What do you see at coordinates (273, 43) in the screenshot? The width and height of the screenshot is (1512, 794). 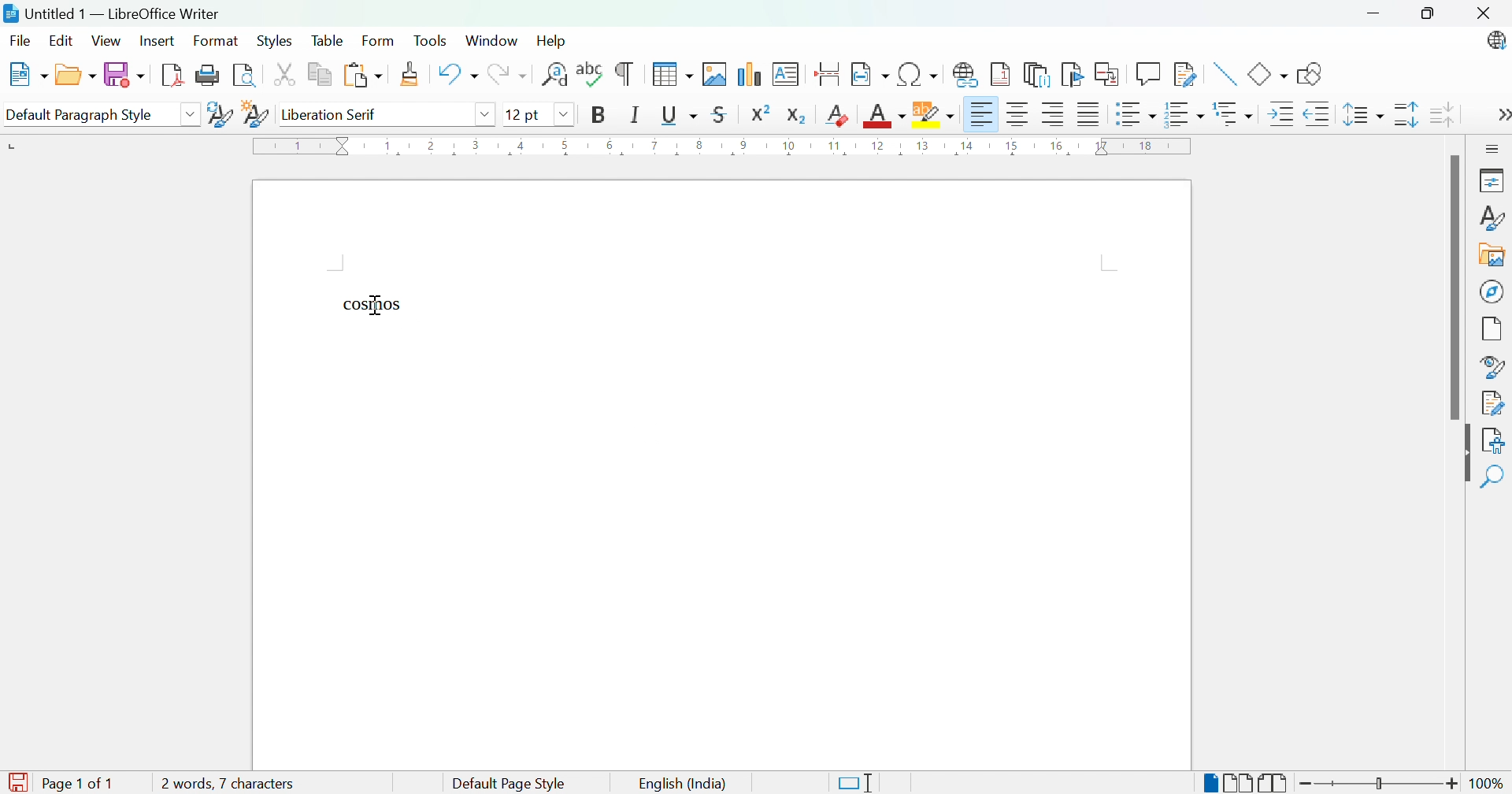 I see `Styles` at bounding box center [273, 43].